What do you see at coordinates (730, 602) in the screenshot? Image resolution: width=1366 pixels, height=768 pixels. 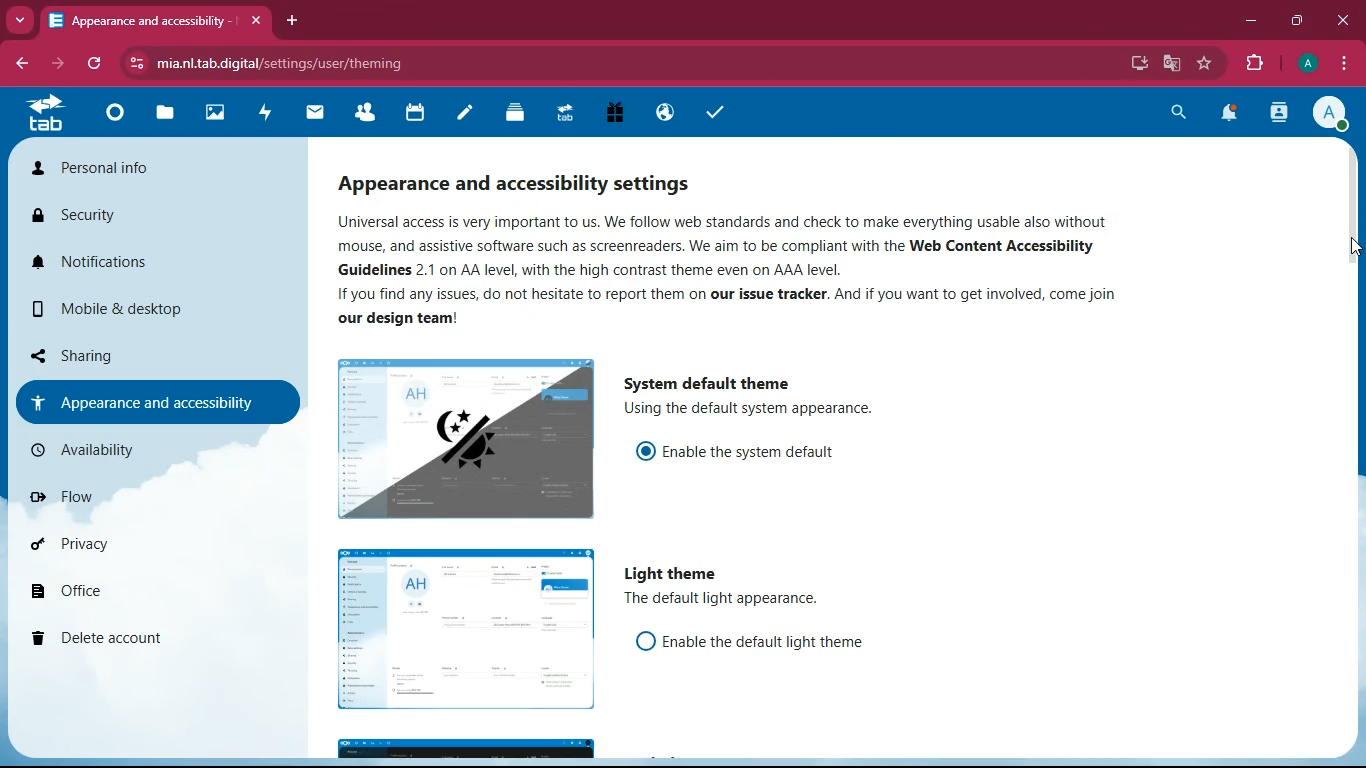 I see `description` at bounding box center [730, 602].